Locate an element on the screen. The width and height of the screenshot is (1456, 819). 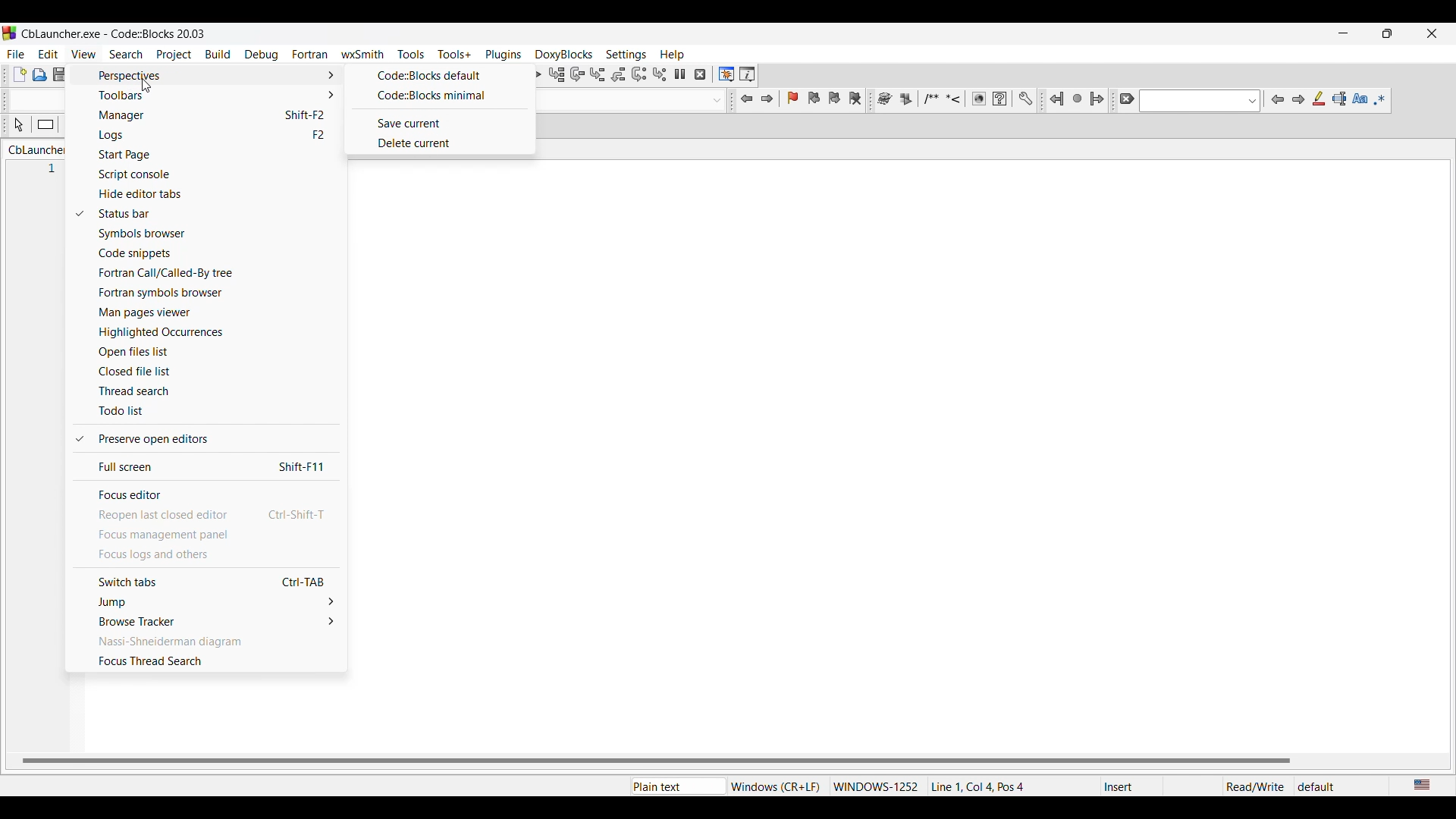
Instruction is located at coordinates (45, 124).